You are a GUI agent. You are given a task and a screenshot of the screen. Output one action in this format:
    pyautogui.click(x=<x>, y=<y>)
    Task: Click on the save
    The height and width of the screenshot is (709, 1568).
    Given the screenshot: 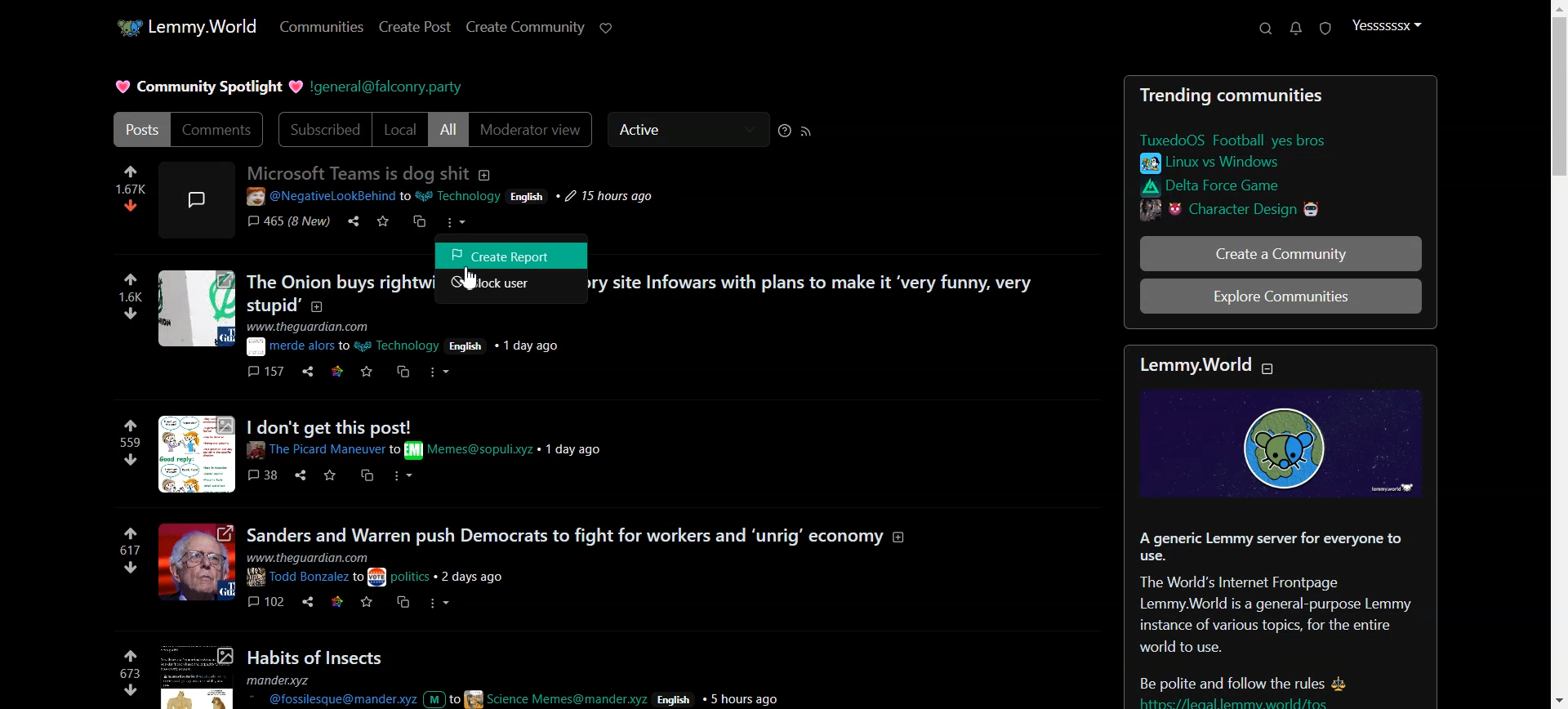 What is the action you would take?
    pyautogui.click(x=369, y=602)
    